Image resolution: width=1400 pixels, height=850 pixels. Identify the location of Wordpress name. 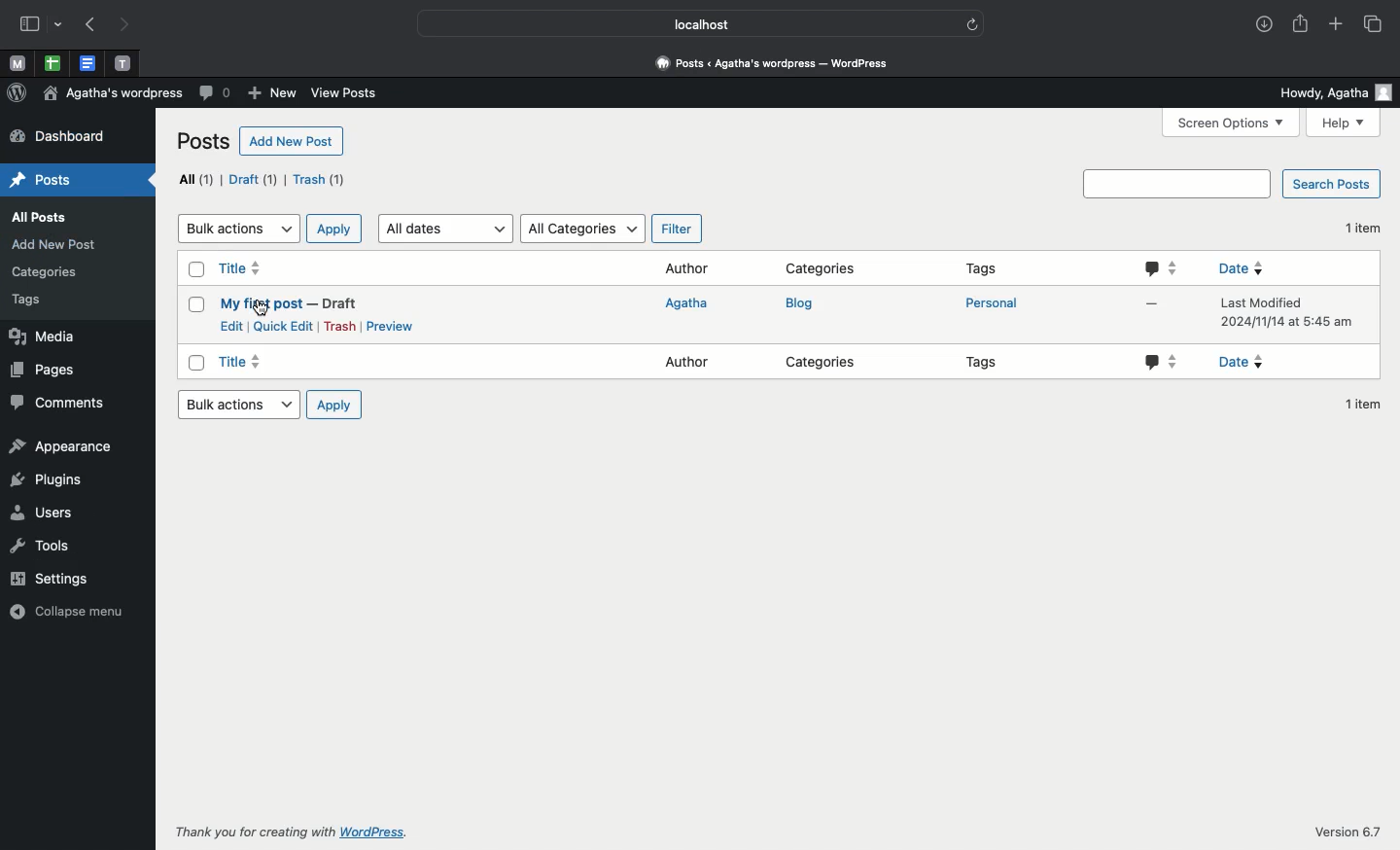
(112, 93).